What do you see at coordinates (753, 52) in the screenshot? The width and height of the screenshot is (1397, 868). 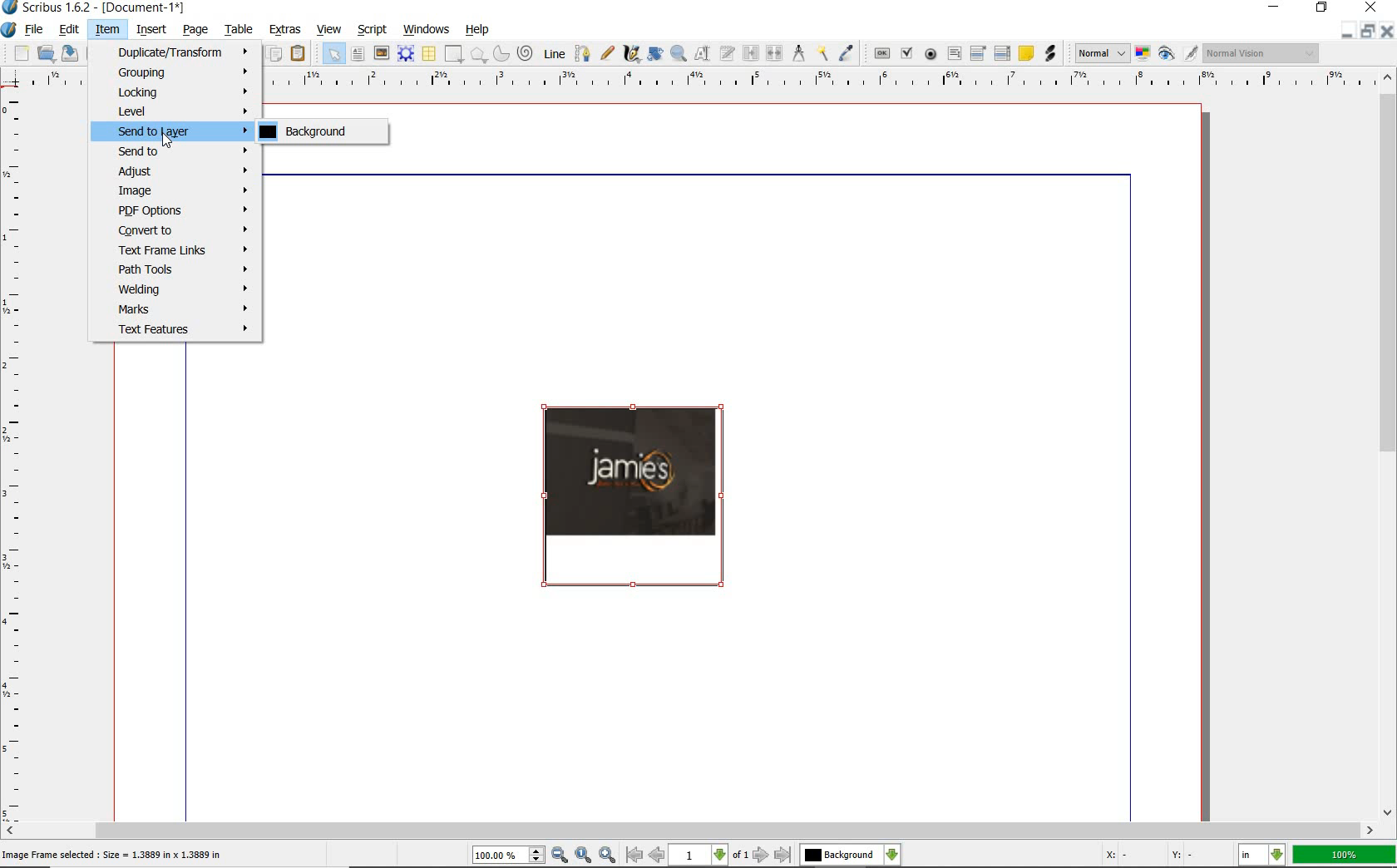 I see `link text frames` at bounding box center [753, 52].